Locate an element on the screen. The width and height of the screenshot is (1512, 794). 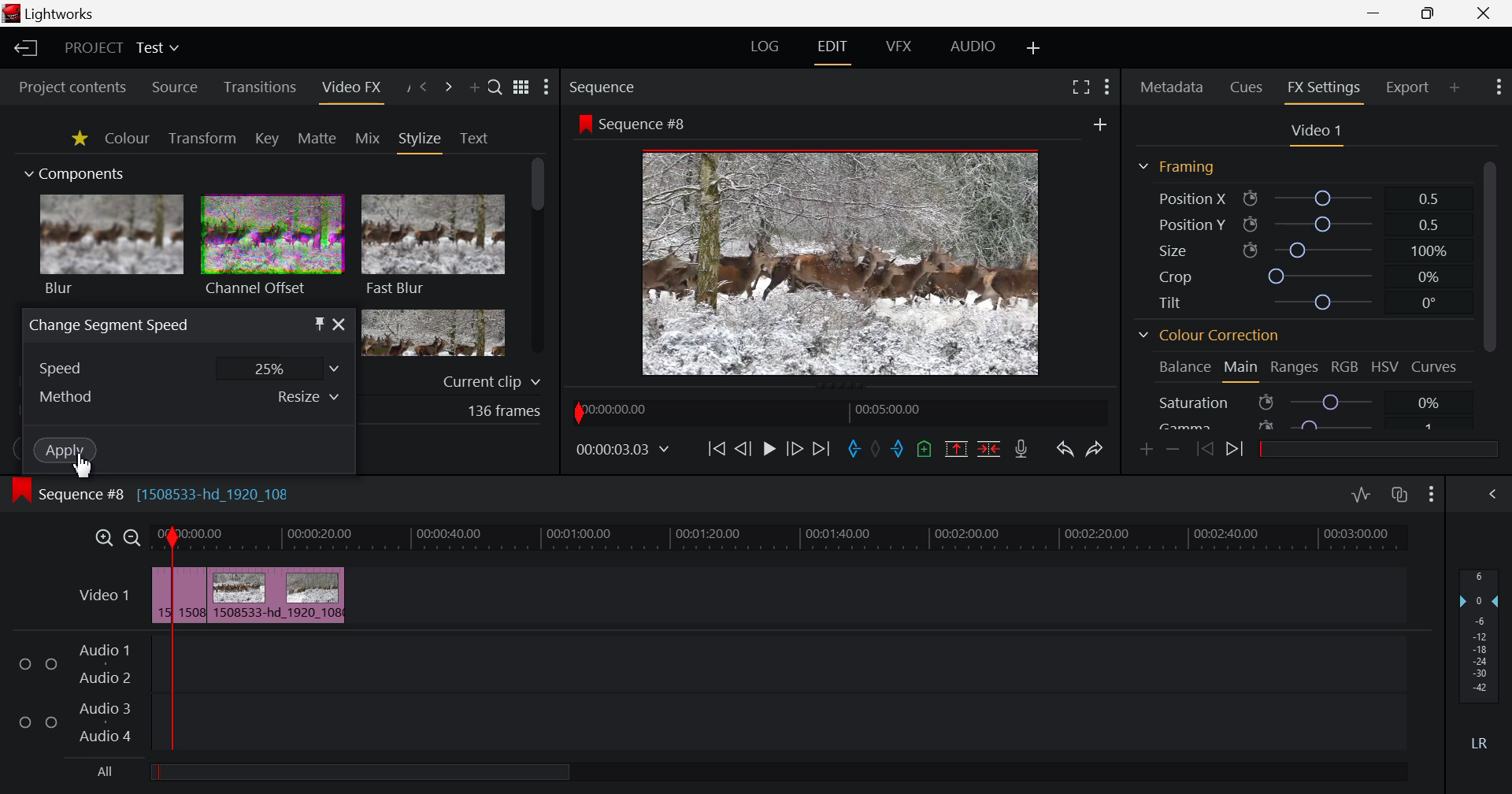
Sequence #8 is located at coordinates (634, 123).